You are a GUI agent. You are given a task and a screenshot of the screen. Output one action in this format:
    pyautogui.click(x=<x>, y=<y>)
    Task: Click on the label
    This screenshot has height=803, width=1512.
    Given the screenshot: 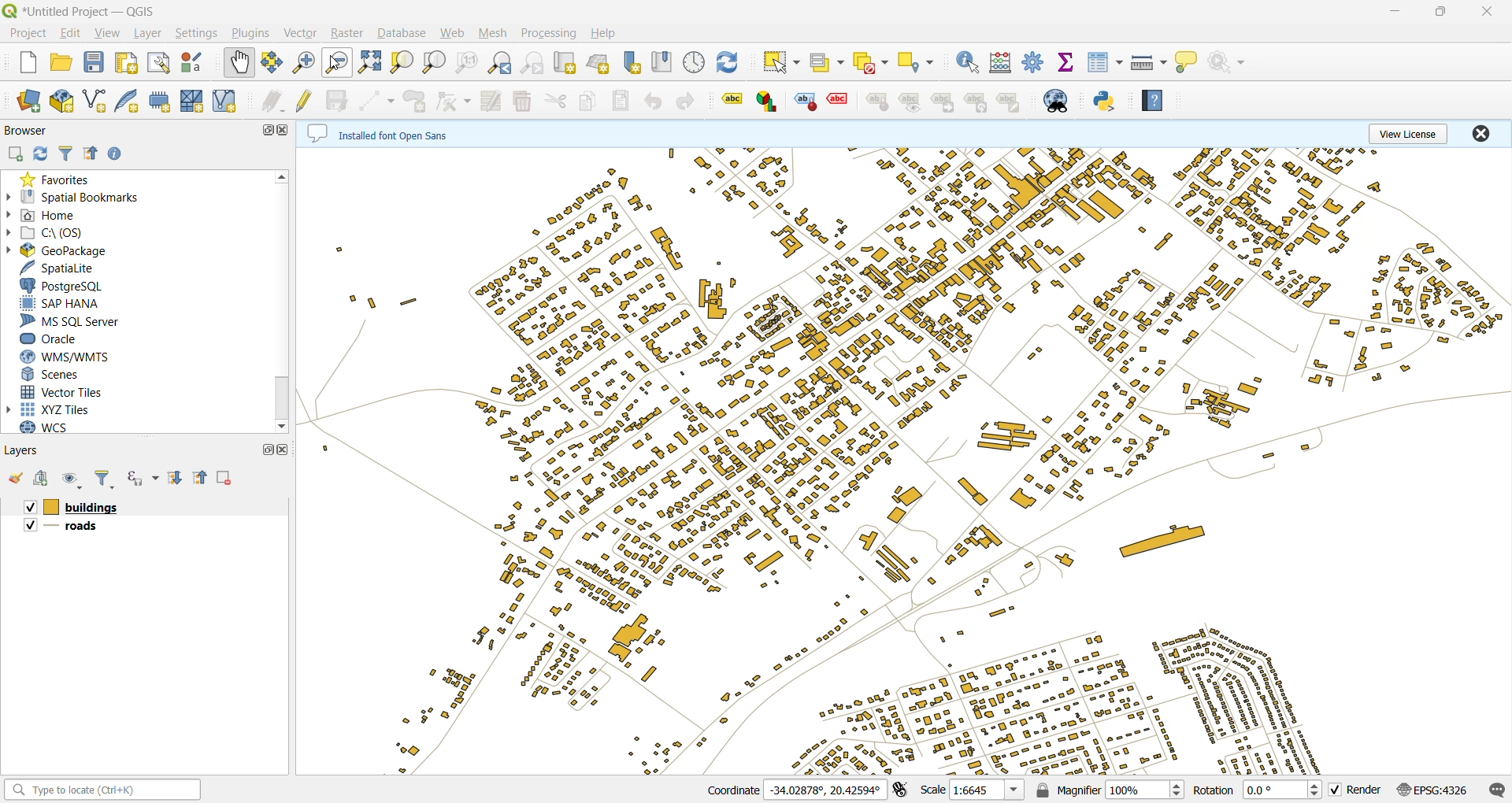 What is the action you would take?
    pyautogui.click(x=1009, y=102)
    